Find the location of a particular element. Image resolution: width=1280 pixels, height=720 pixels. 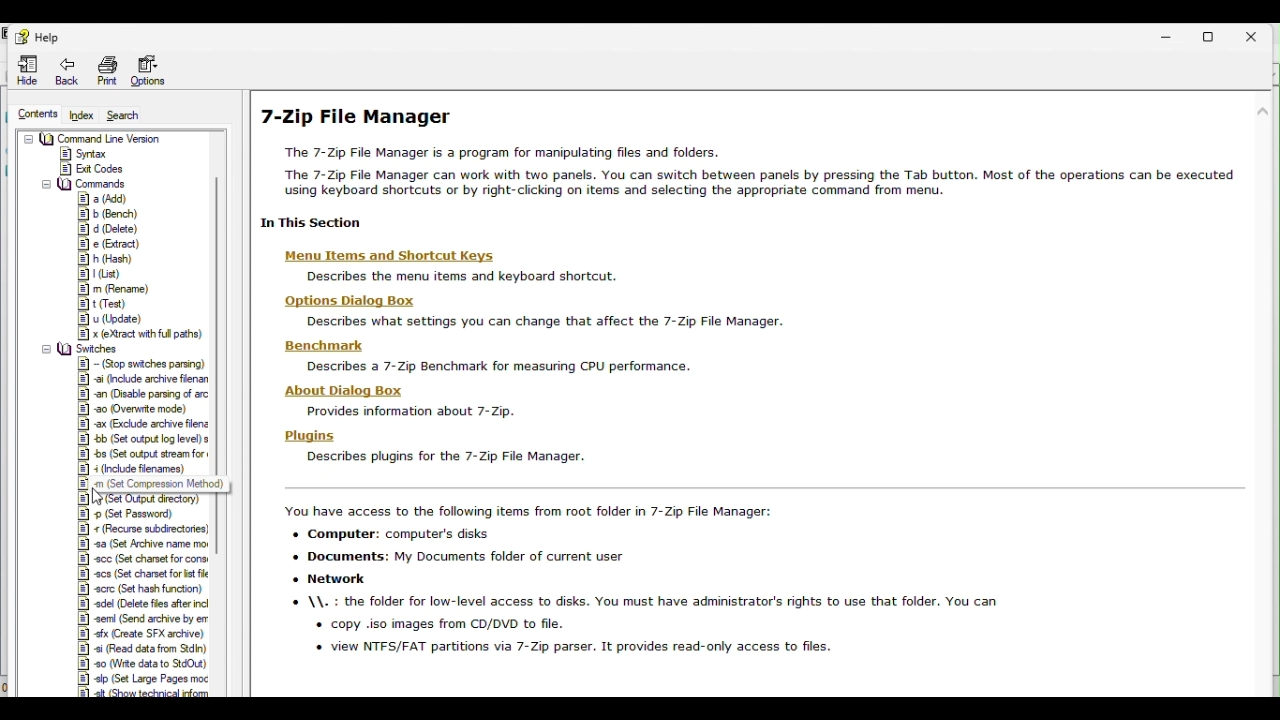

sfx is located at coordinates (140, 634).